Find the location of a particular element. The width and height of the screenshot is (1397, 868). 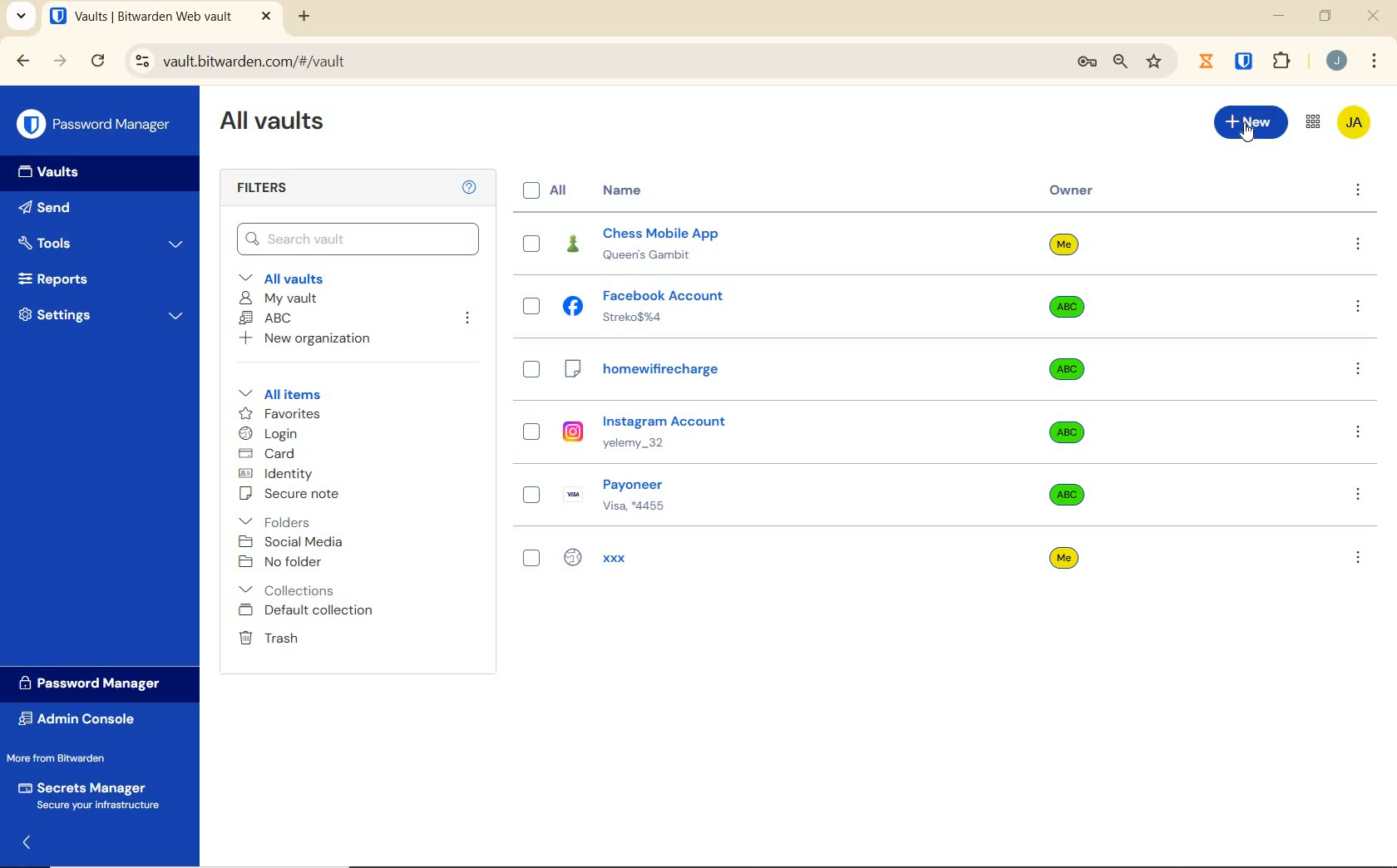

address bar is located at coordinates (590, 62).